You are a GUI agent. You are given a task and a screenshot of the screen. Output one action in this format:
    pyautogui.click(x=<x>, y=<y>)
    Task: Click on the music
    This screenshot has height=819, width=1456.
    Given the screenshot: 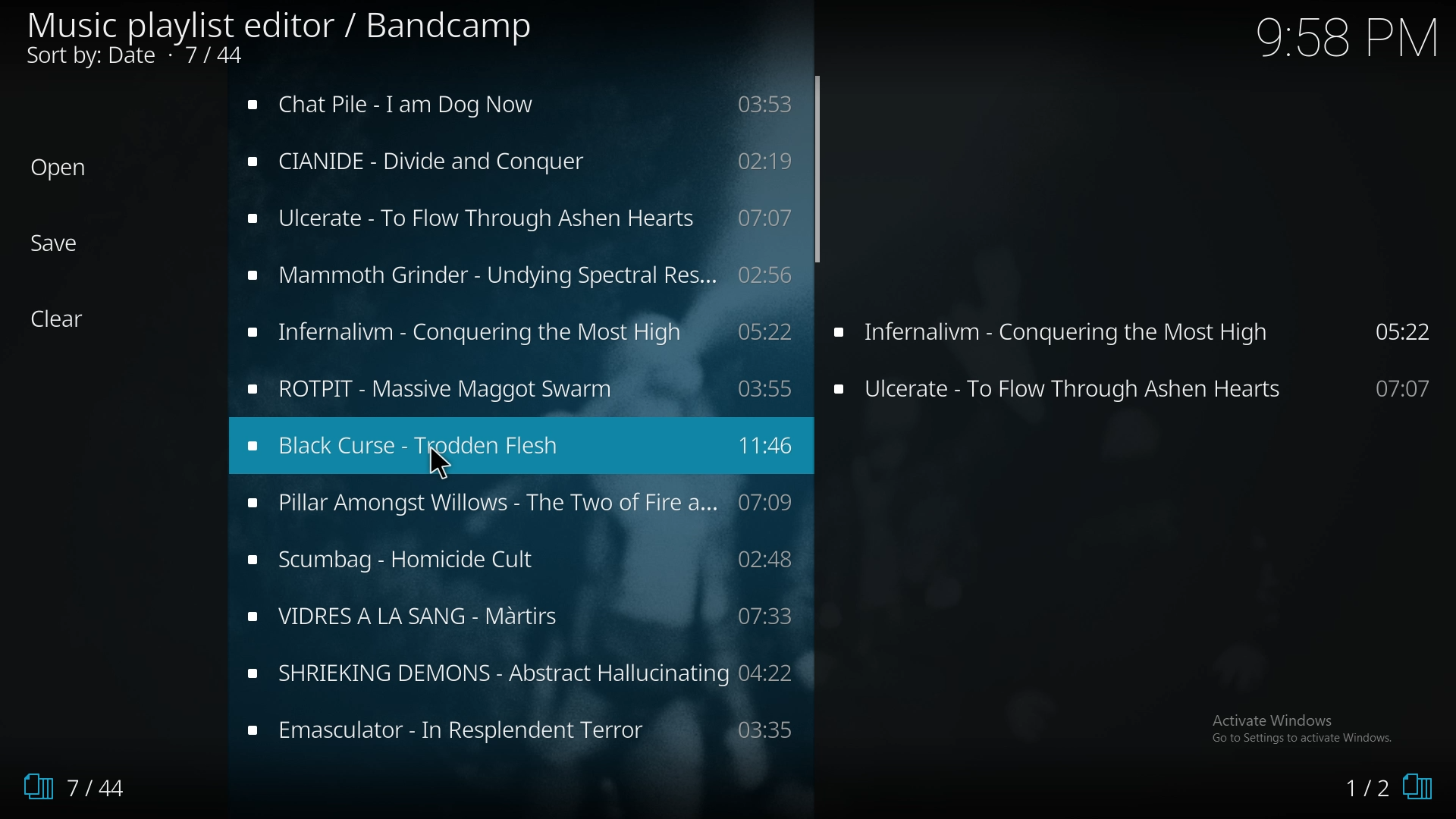 What is the action you would take?
    pyautogui.click(x=516, y=333)
    